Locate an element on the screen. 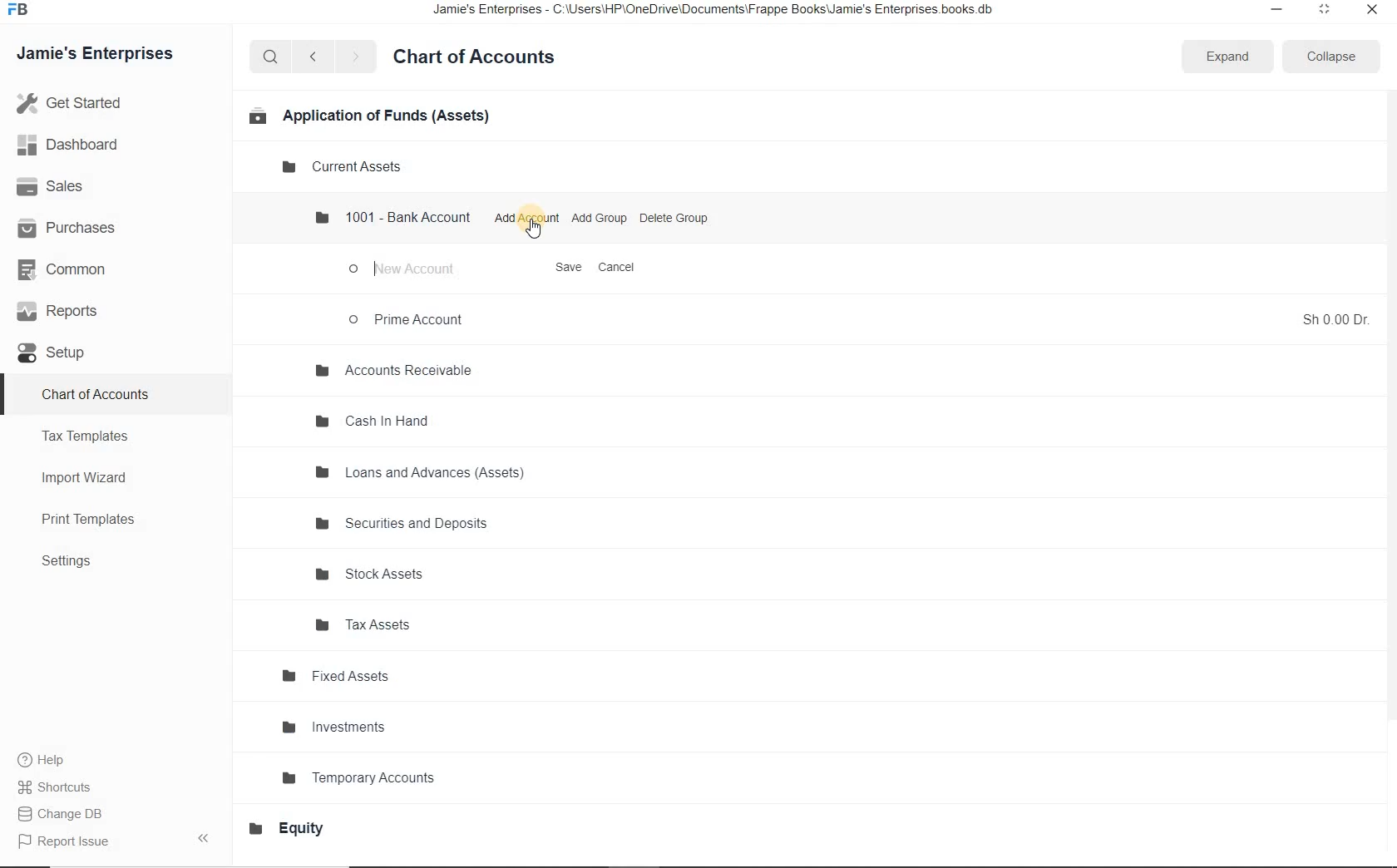  forward is located at coordinates (357, 57).